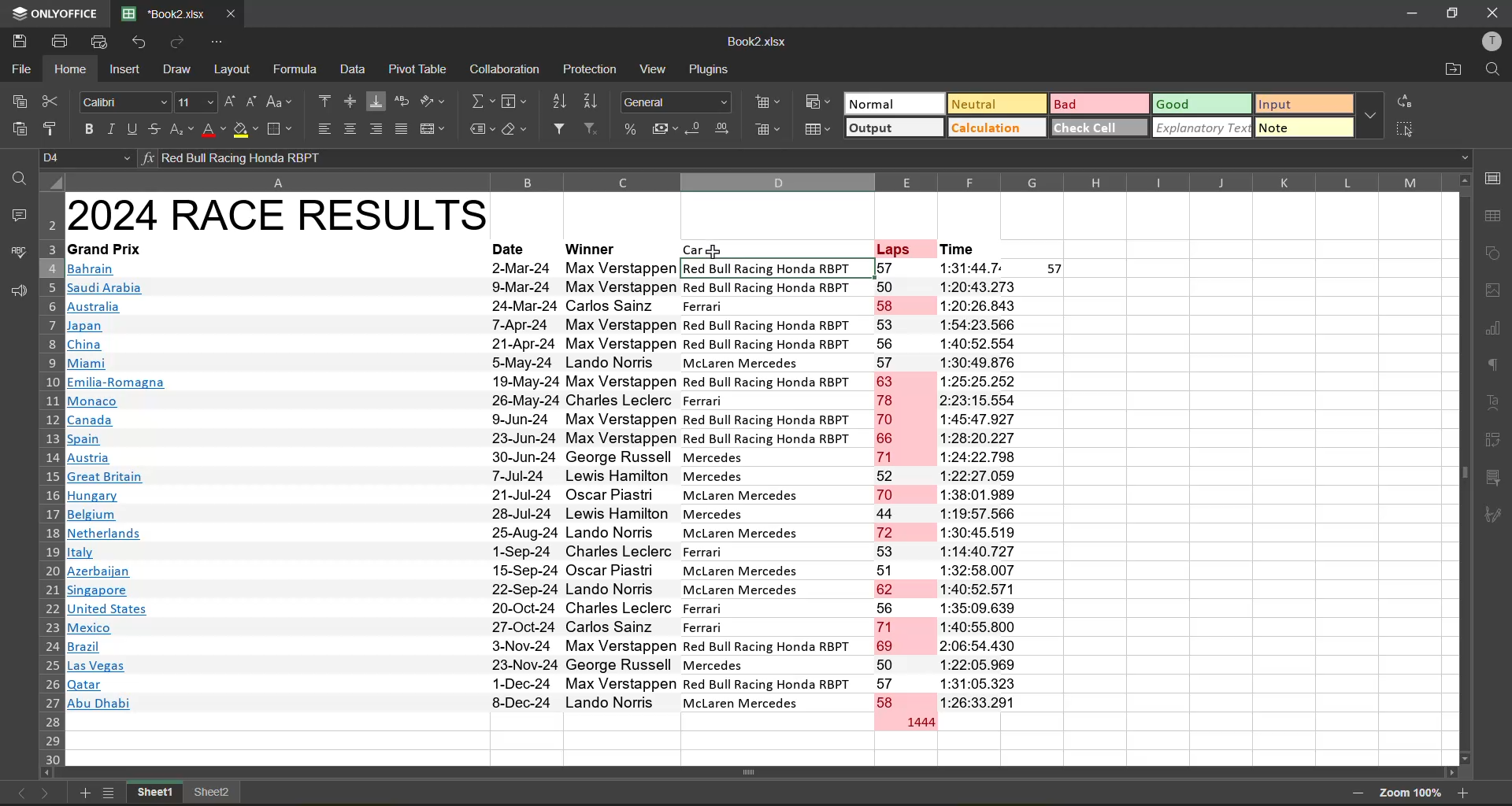 This screenshot has width=1512, height=806. Describe the element at coordinates (817, 100) in the screenshot. I see `conditional formatting` at that location.